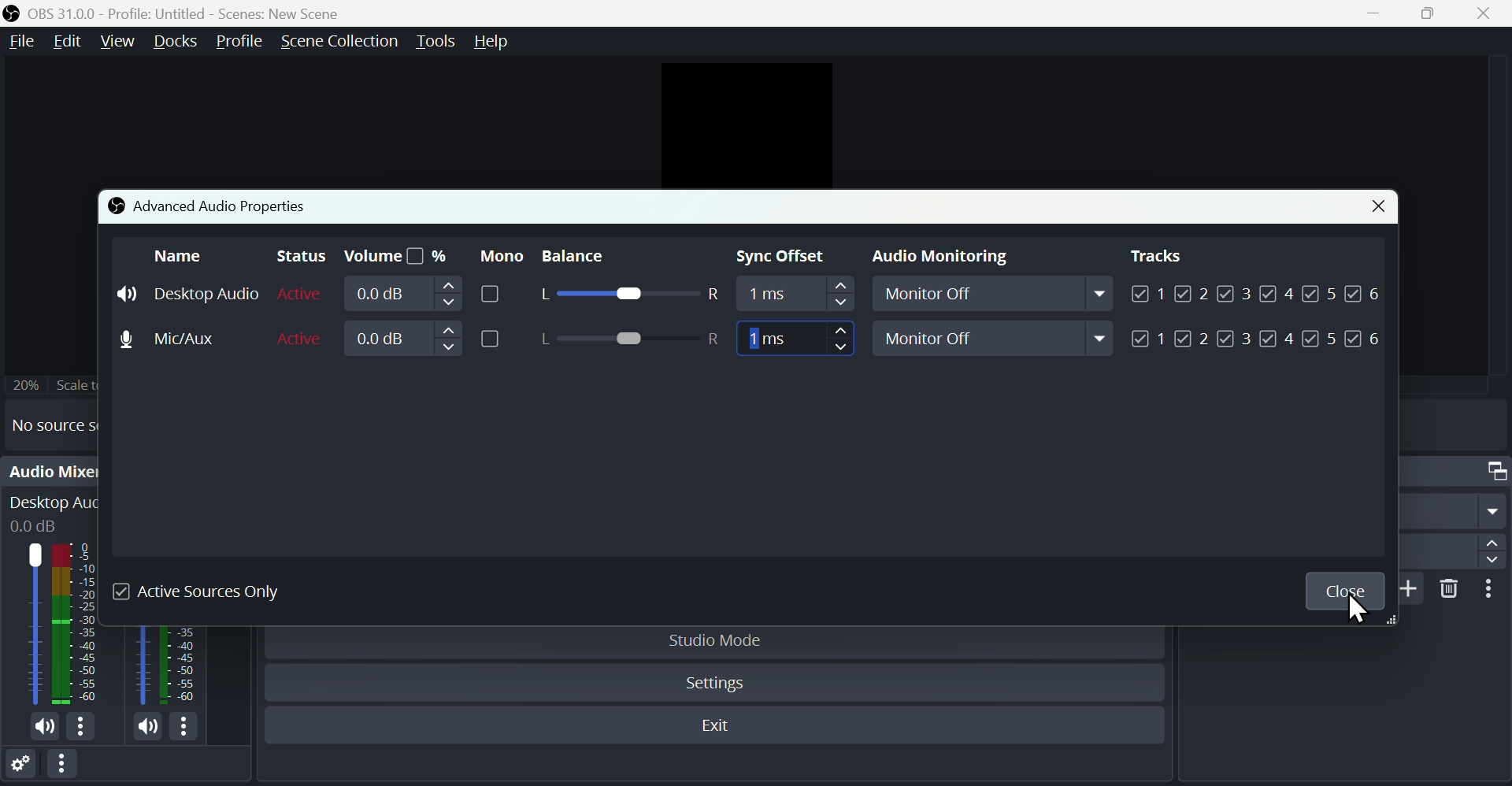 This screenshot has width=1512, height=786. What do you see at coordinates (795, 339) in the screenshot?
I see `Sync Offset` at bounding box center [795, 339].